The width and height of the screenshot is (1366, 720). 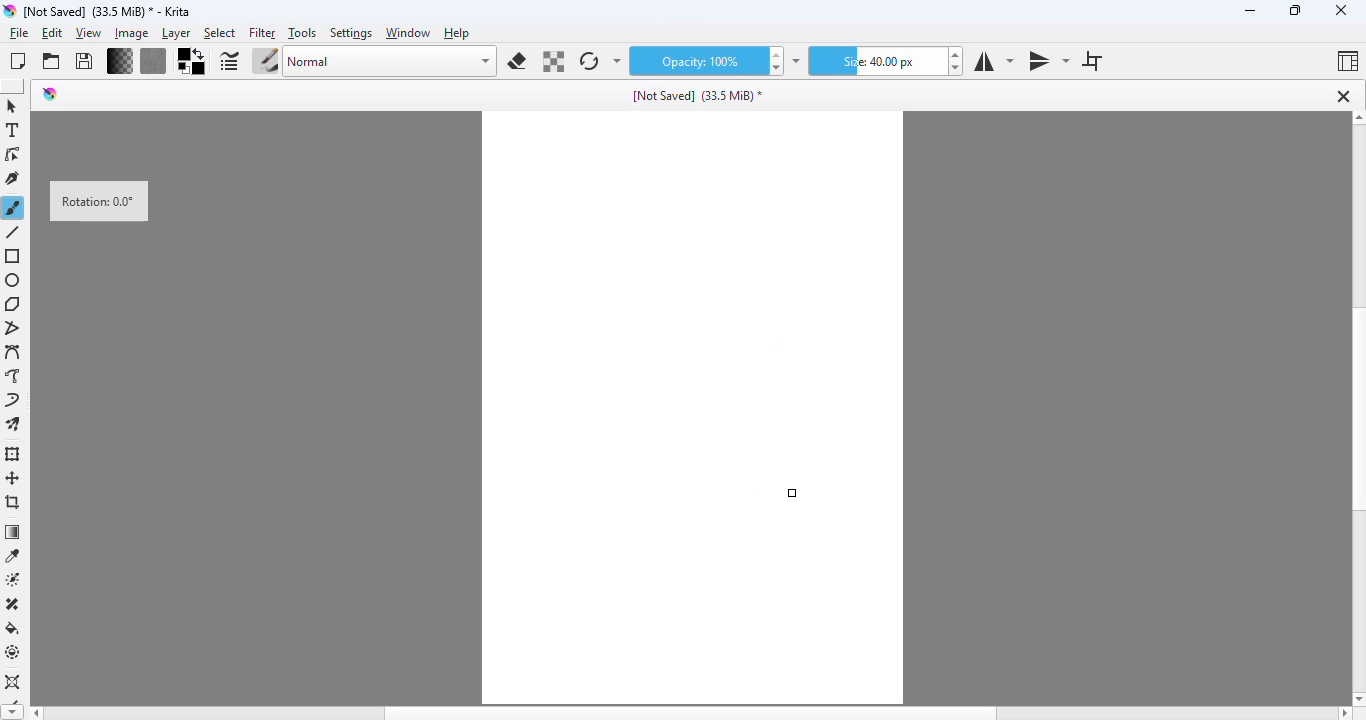 What do you see at coordinates (992, 61) in the screenshot?
I see `horizontal mirror tool` at bounding box center [992, 61].